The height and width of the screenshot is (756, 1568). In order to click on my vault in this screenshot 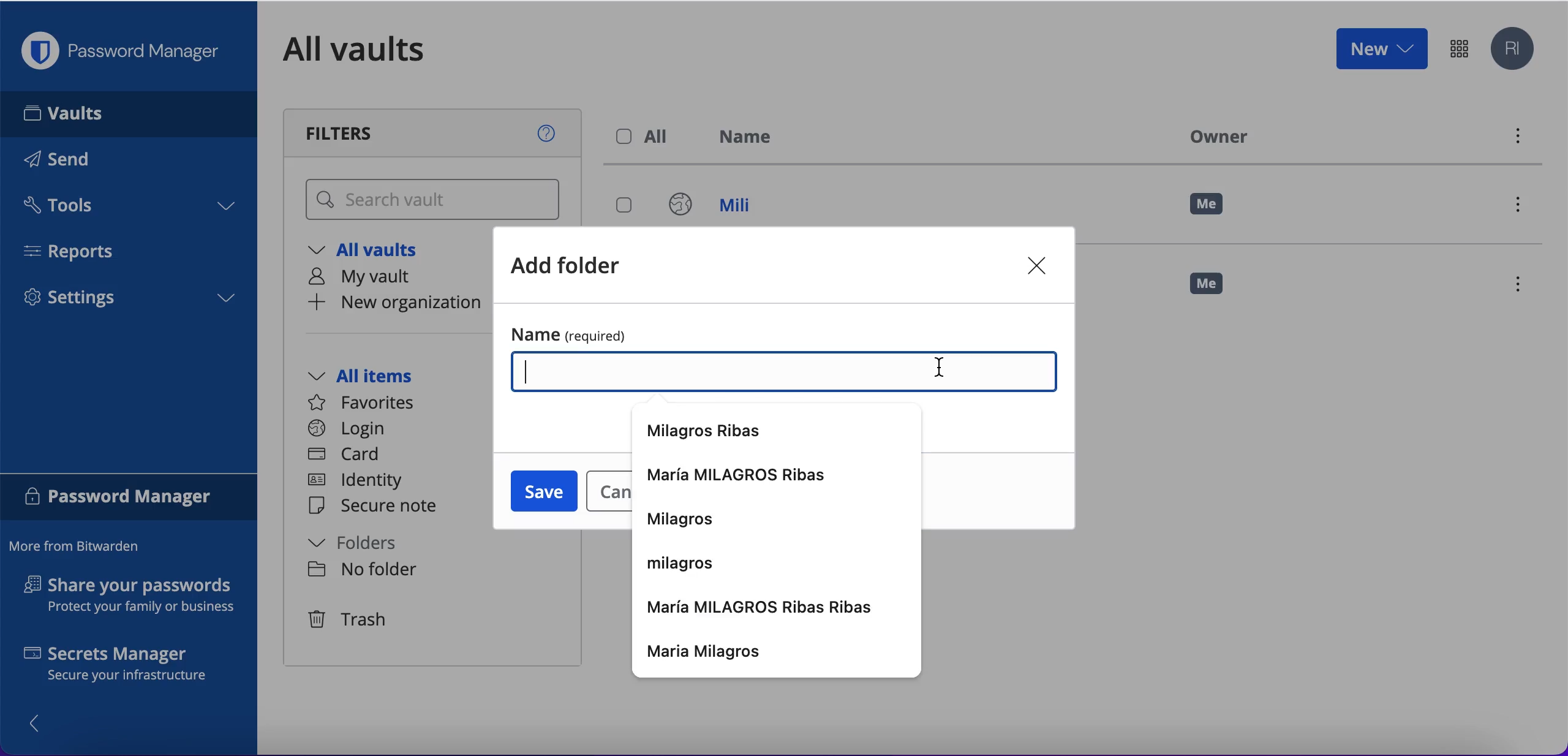, I will do `click(372, 278)`.